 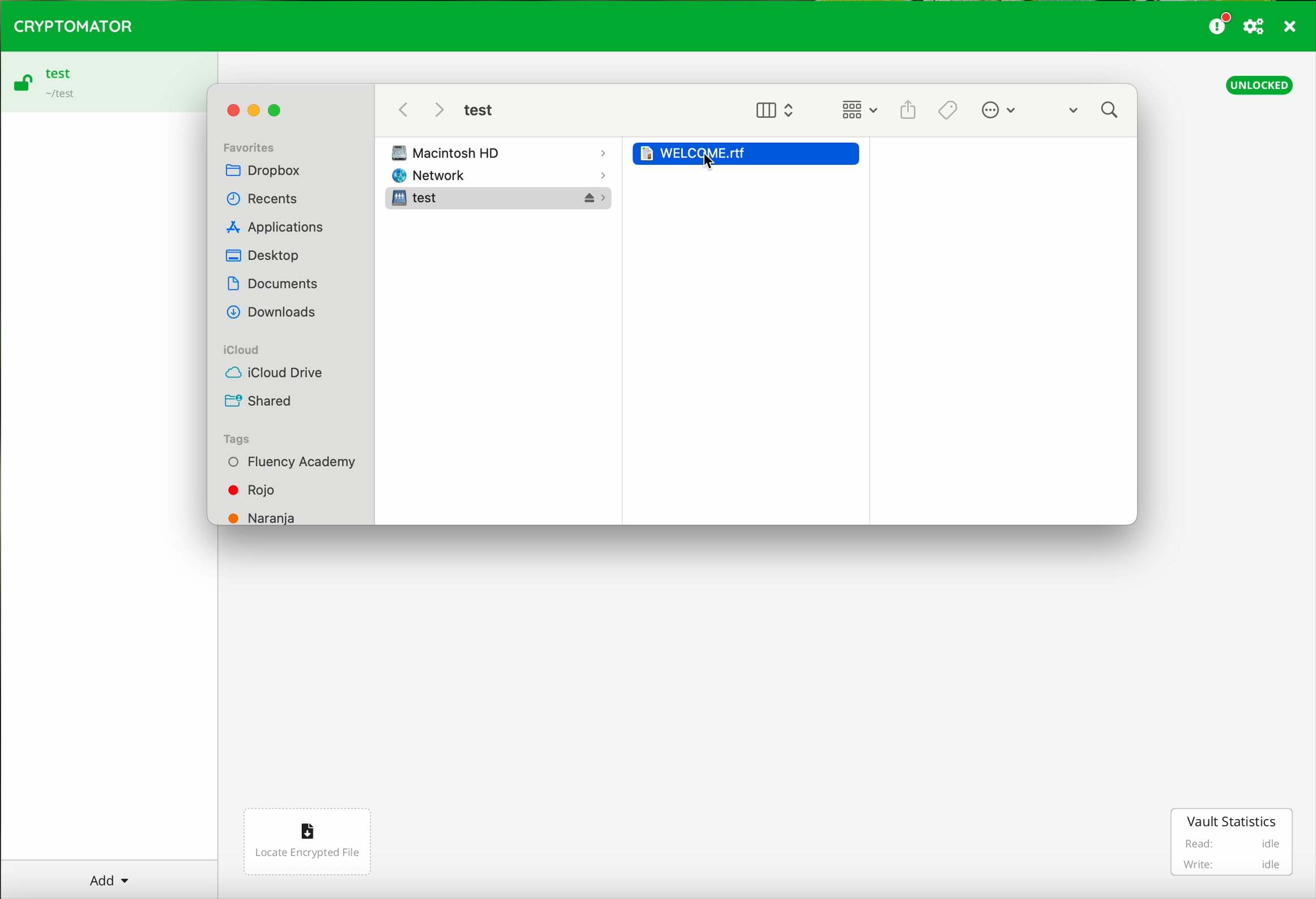 I want to click on Add, so click(x=109, y=876).